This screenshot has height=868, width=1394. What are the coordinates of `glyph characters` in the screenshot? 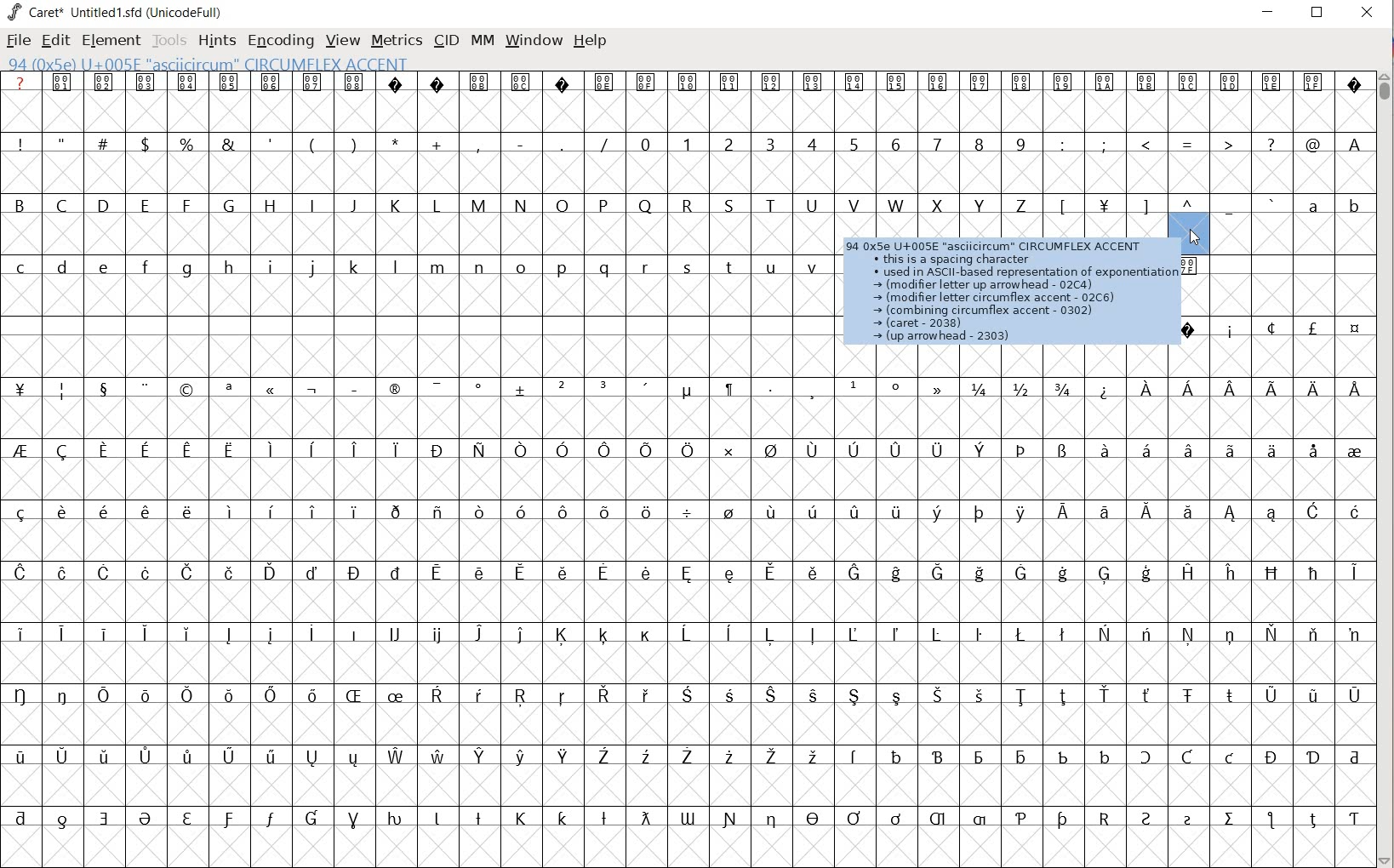 It's located at (1106, 691).